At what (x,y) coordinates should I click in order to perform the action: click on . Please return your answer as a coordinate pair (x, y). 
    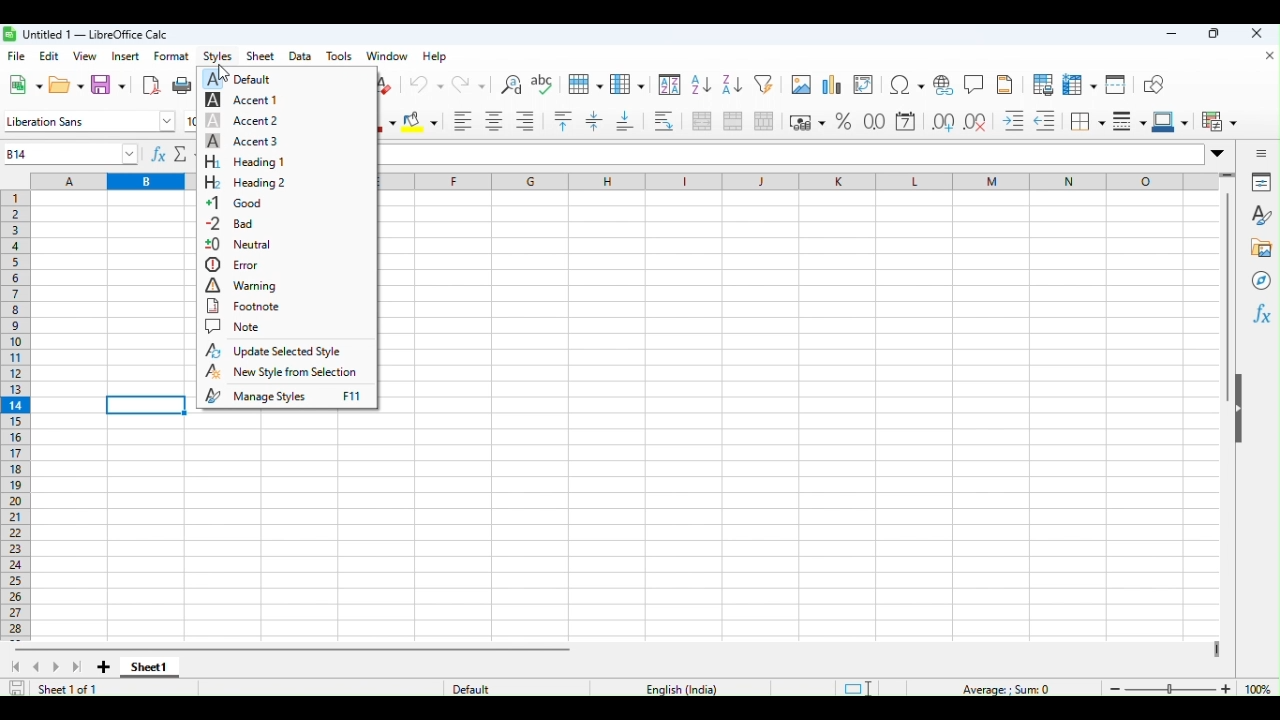
    Looking at the image, I should click on (1042, 85).